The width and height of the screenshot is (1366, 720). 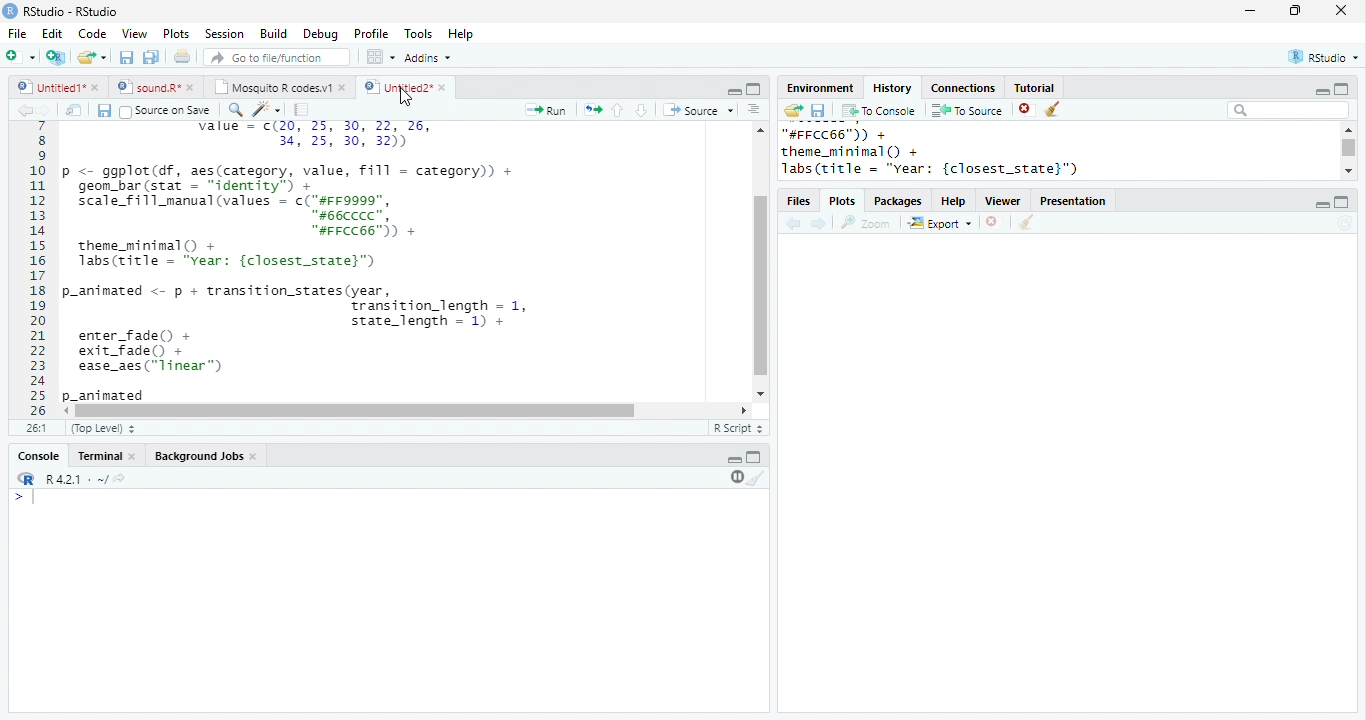 What do you see at coordinates (899, 201) in the screenshot?
I see `Packages` at bounding box center [899, 201].